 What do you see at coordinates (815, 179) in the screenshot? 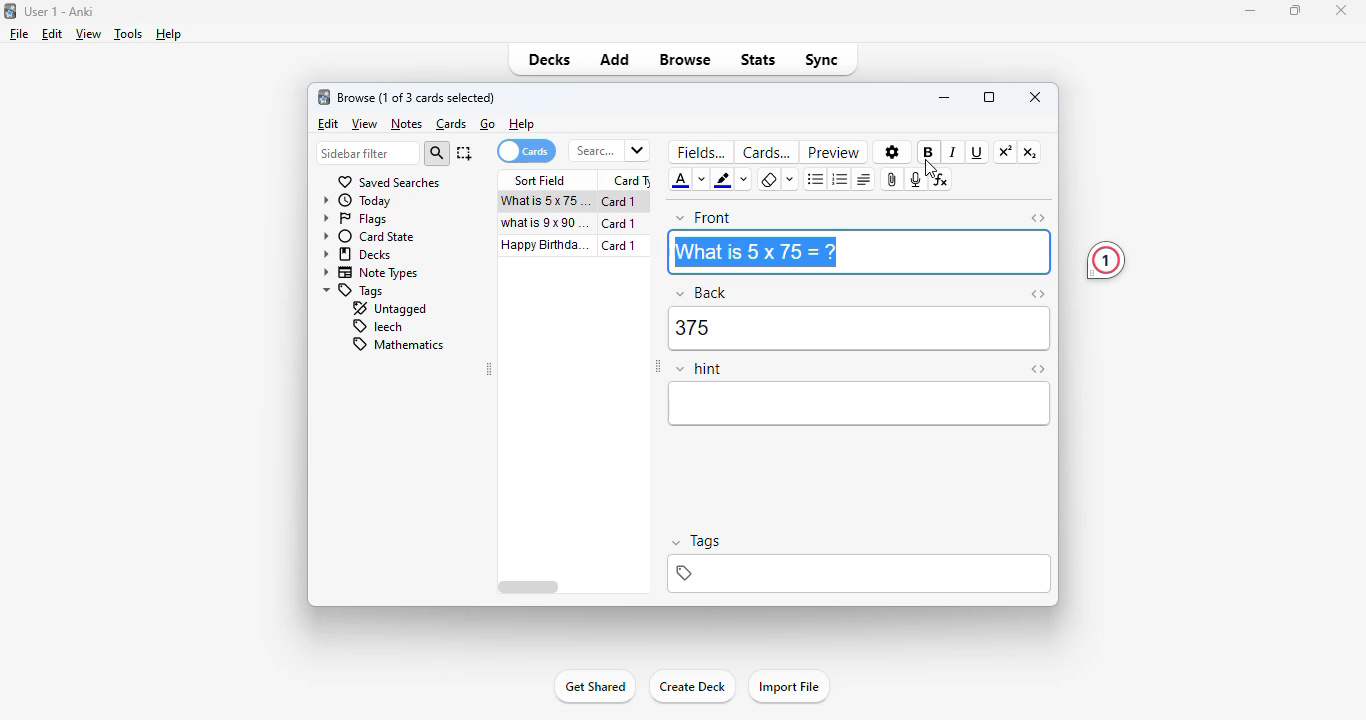
I see `unordered list` at bounding box center [815, 179].